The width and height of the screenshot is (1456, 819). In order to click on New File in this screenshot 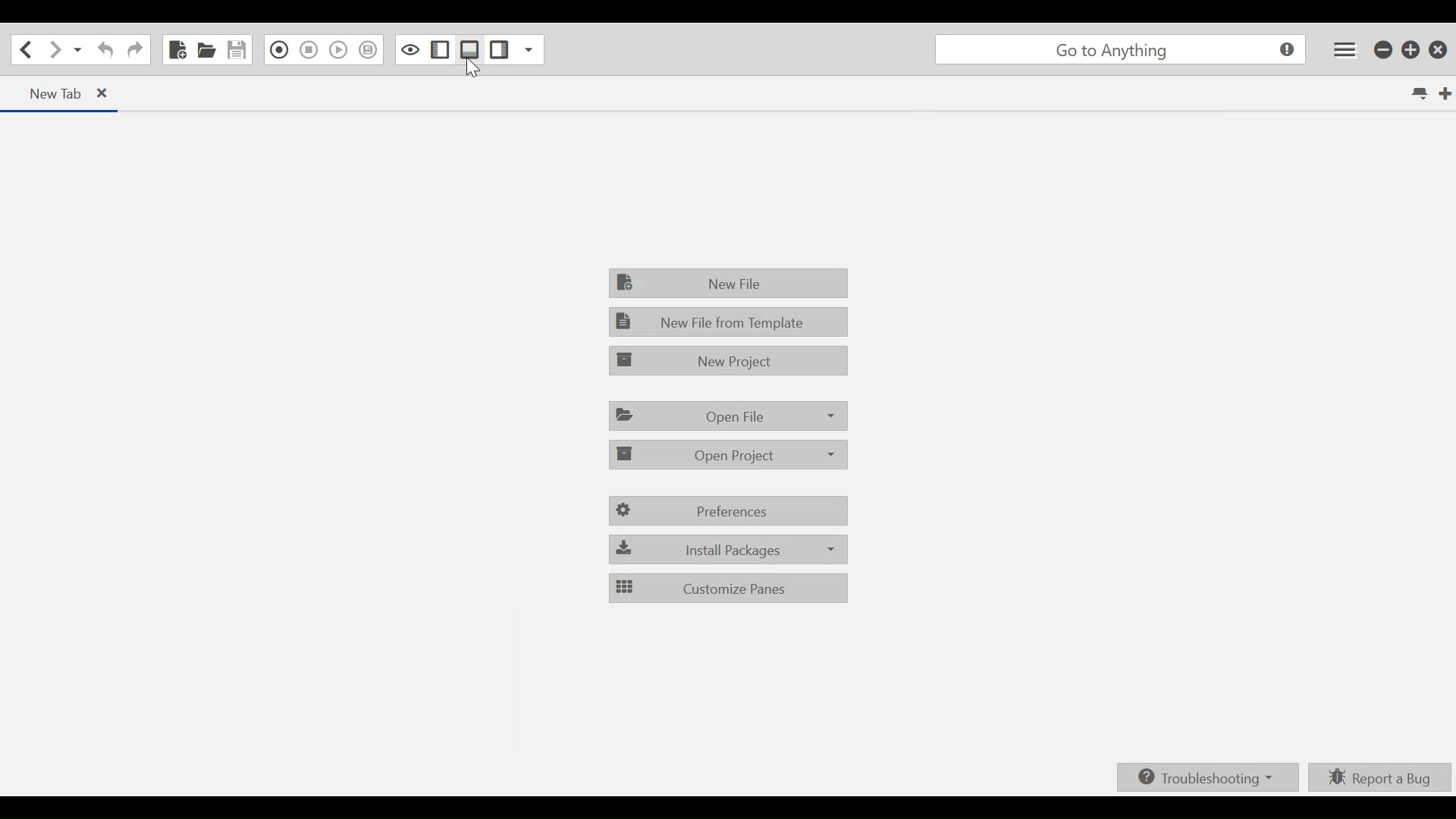, I will do `click(730, 284)`.